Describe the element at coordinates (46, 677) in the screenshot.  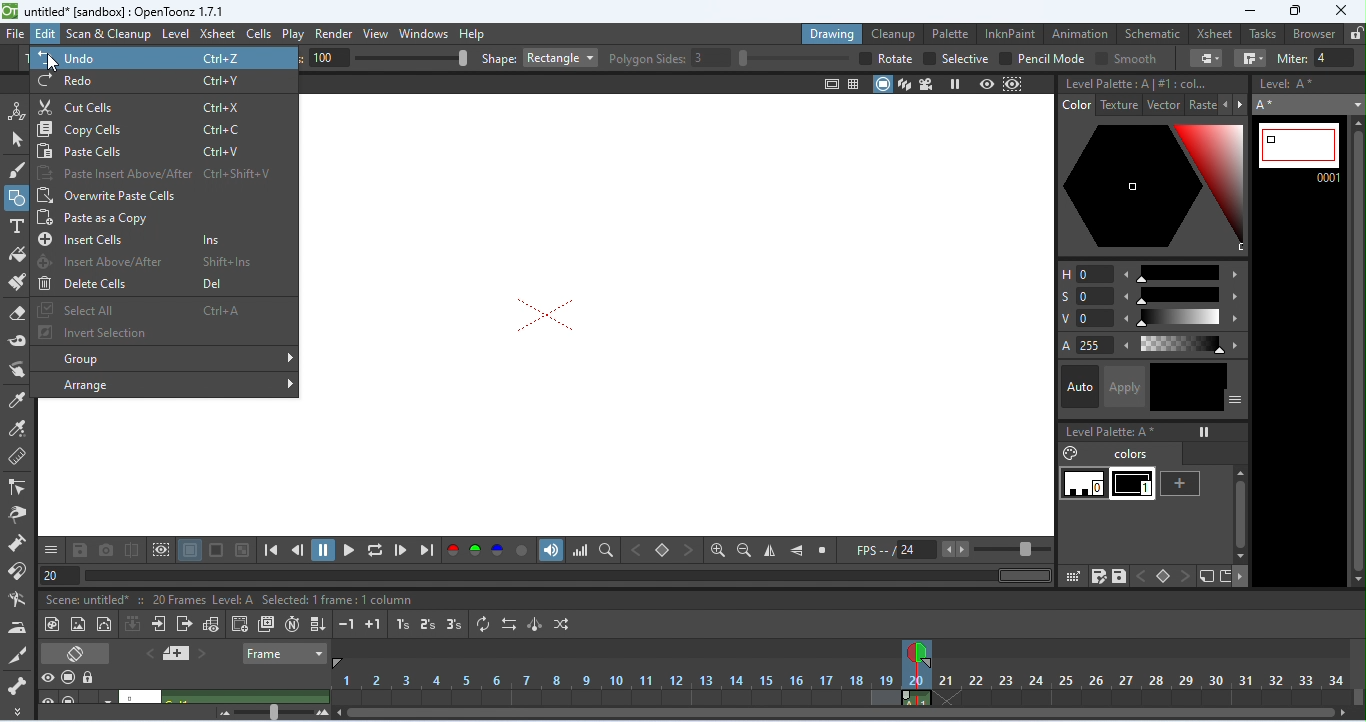
I see `preview visibility` at that location.